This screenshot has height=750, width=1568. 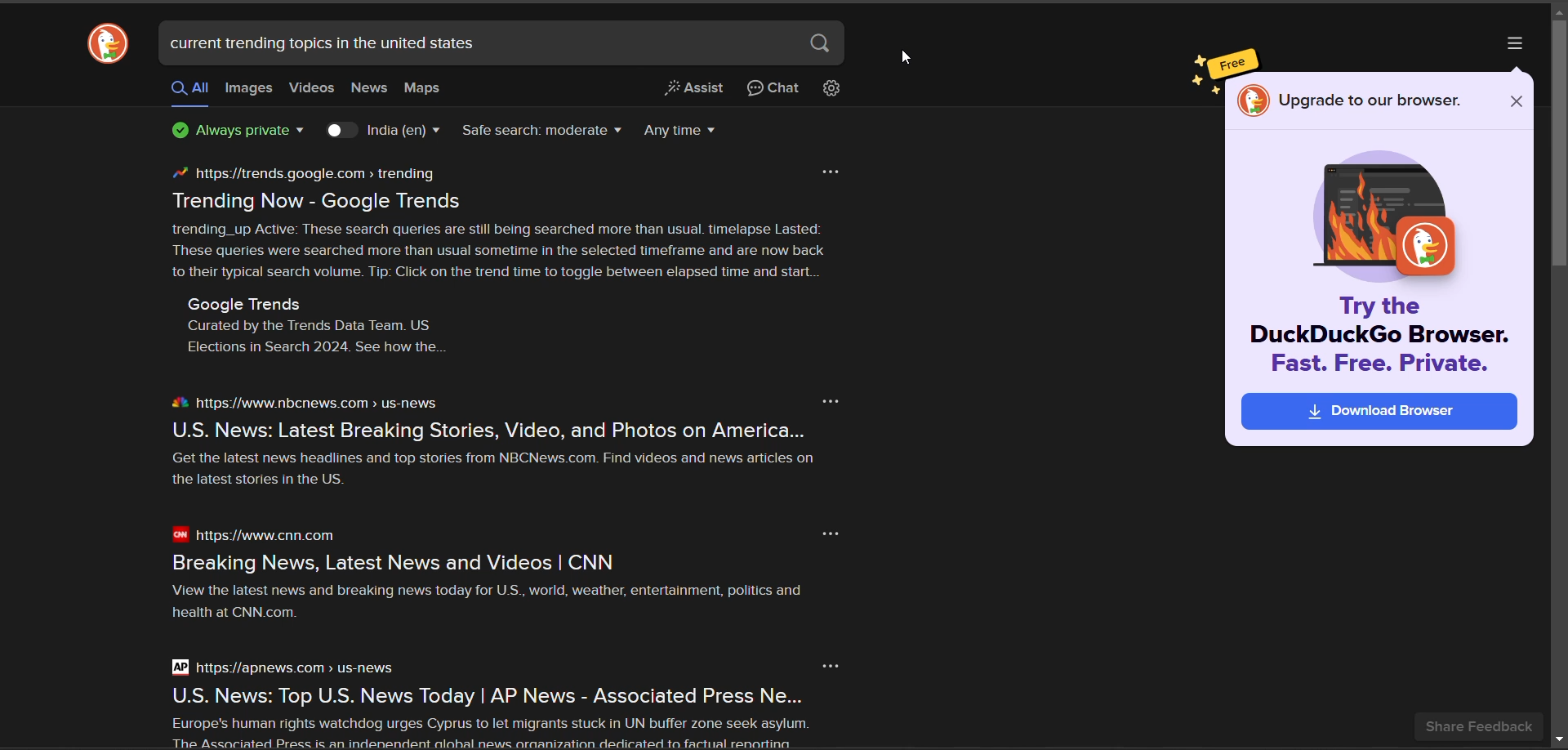 I want to click on current trending topics in the united states, so click(x=469, y=43).